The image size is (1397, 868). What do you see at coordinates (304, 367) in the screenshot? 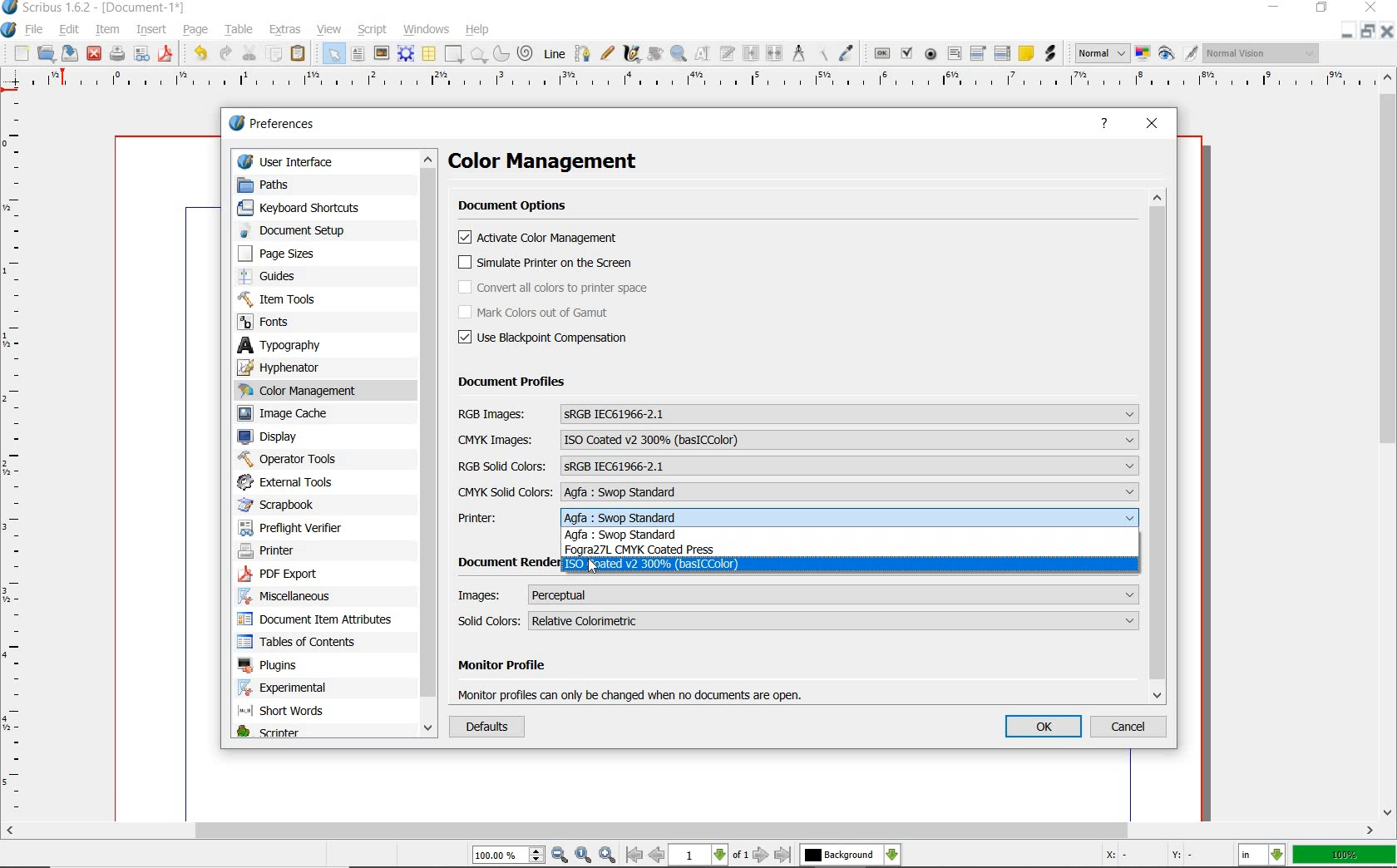
I see `hyphenator` at bounding box center [304, 367].